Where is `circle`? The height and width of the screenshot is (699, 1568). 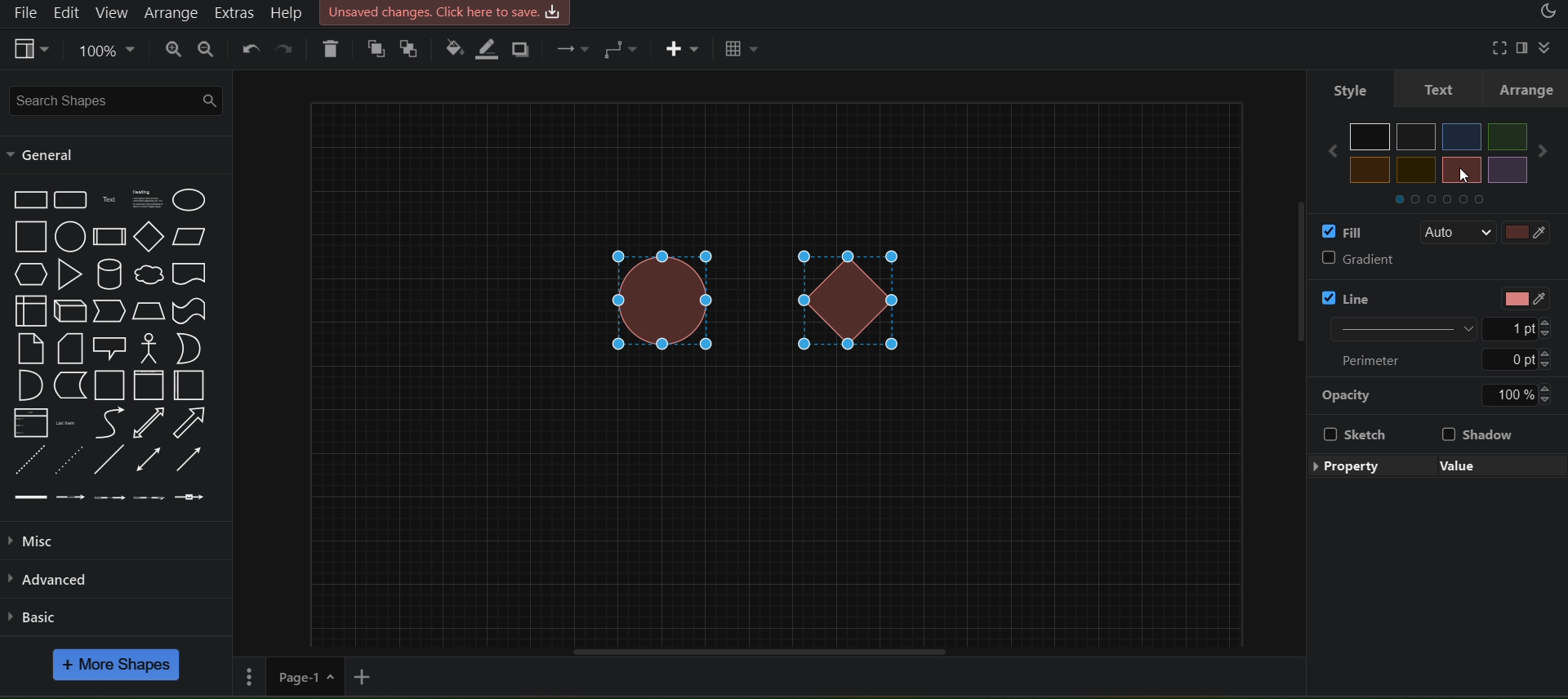
circle is located at coordinates (677, 292).